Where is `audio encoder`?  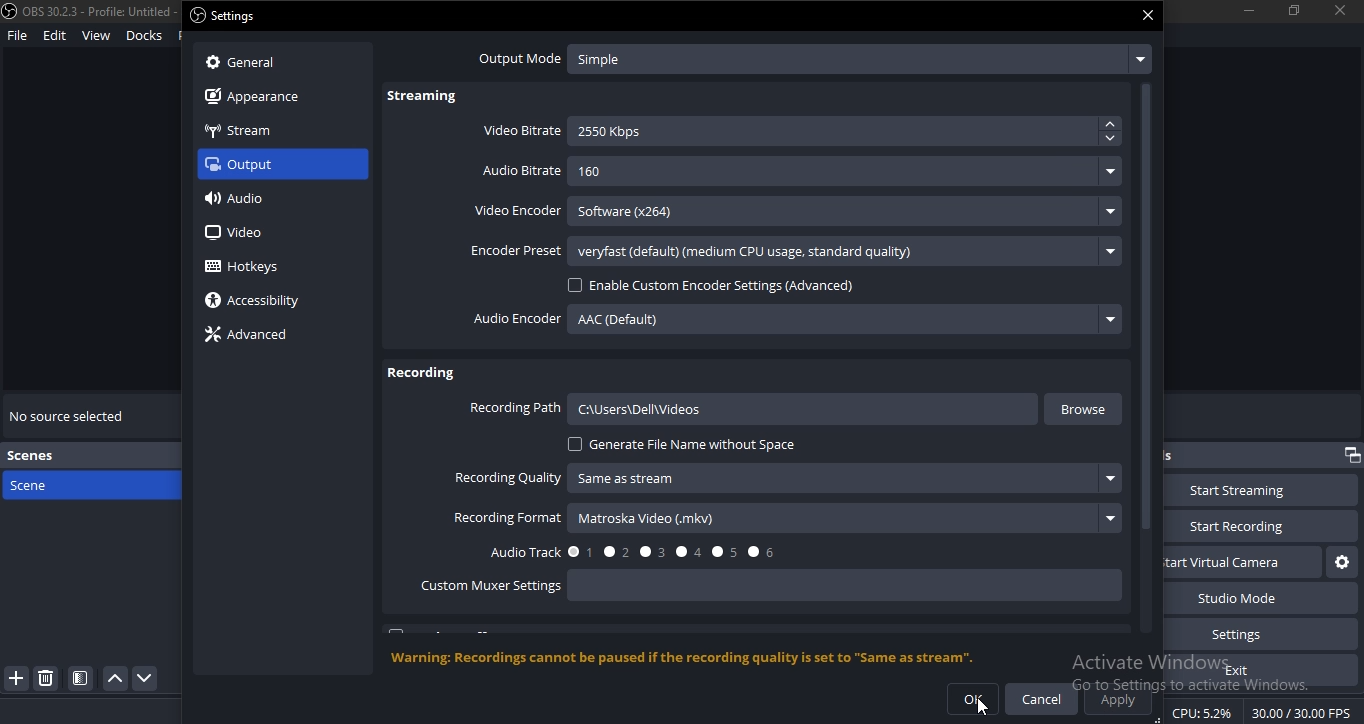 audio encoder is located at coordinates (515, 319).